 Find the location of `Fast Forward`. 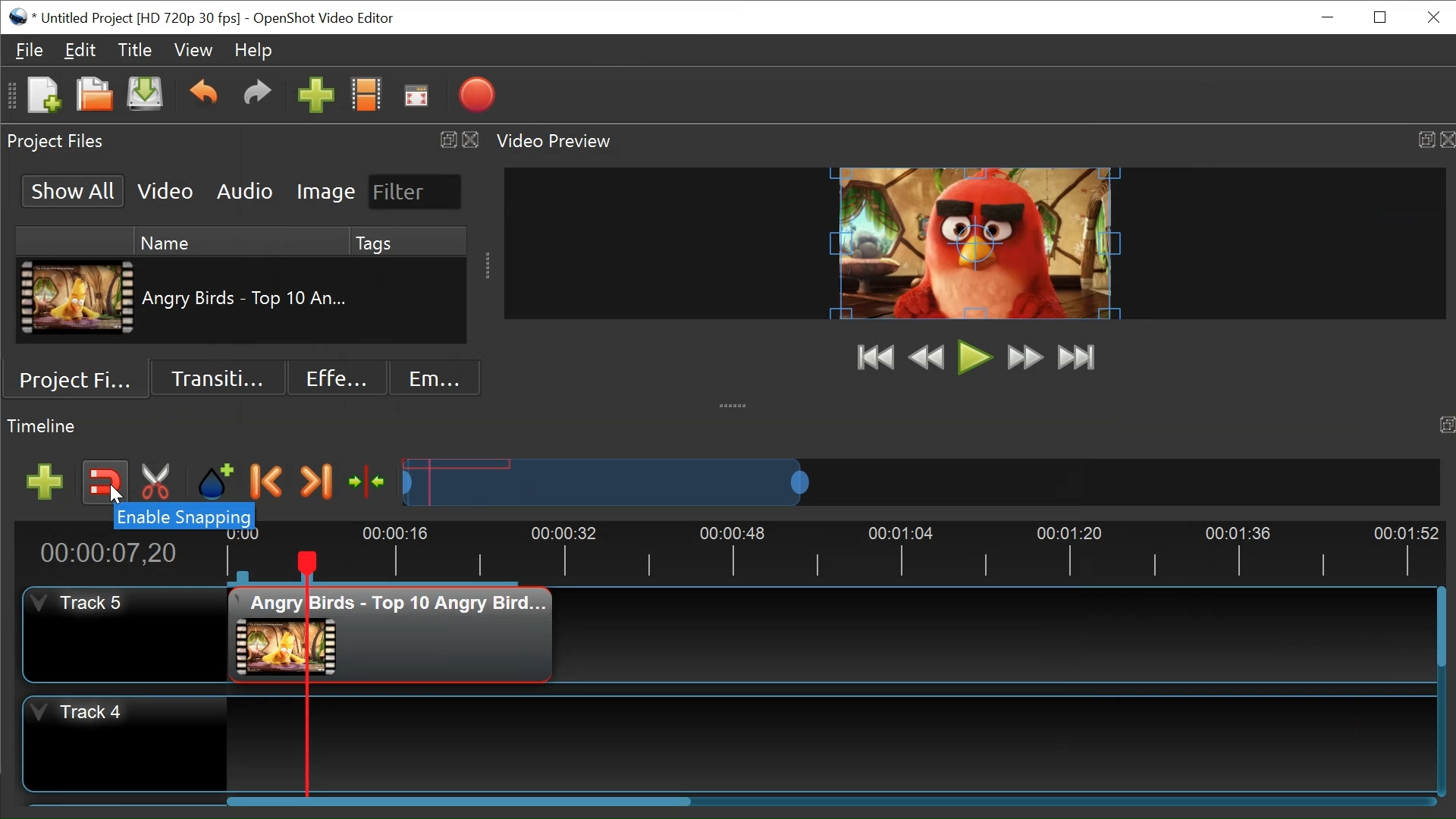

Fast Forward is located at coordinates (1027, 357).